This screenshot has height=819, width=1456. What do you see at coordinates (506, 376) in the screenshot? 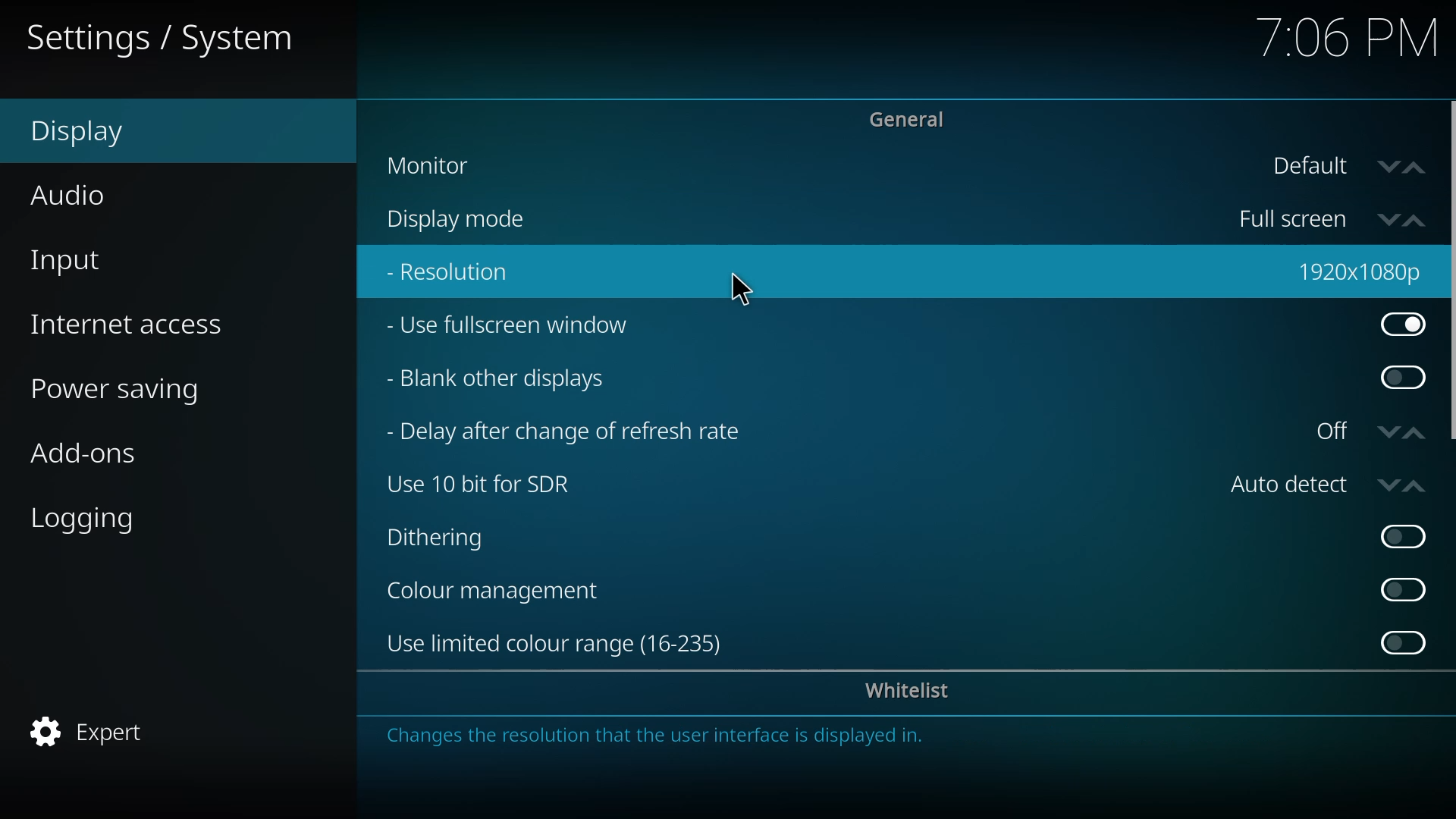
I see `blank other displays` at bounding box center [506, 376].